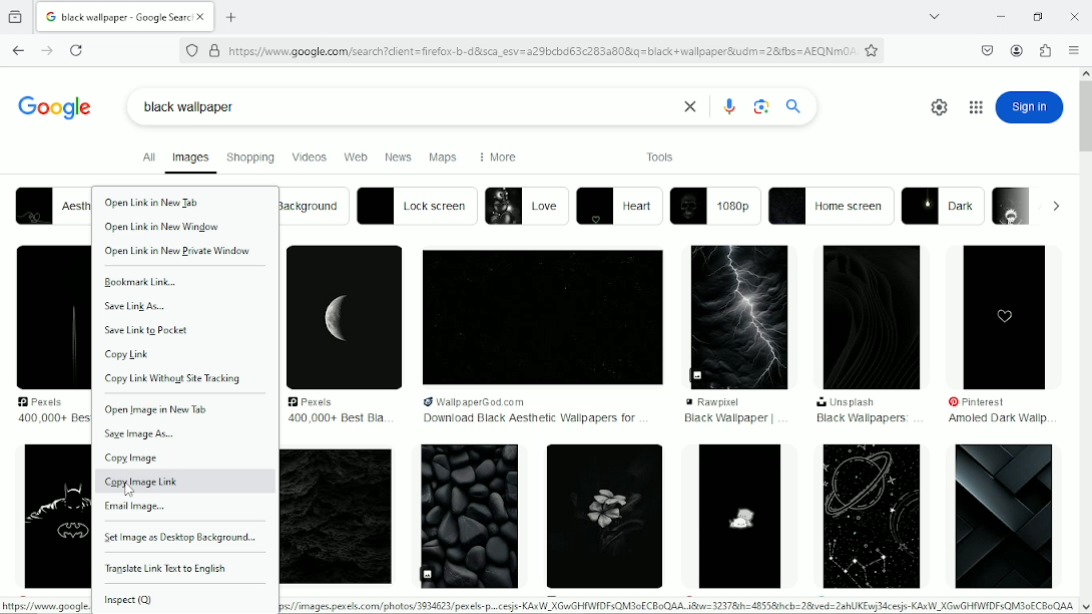  Describe the element at coordinates (986, 49) in the screenshot. I see `save to pocket` at that location.